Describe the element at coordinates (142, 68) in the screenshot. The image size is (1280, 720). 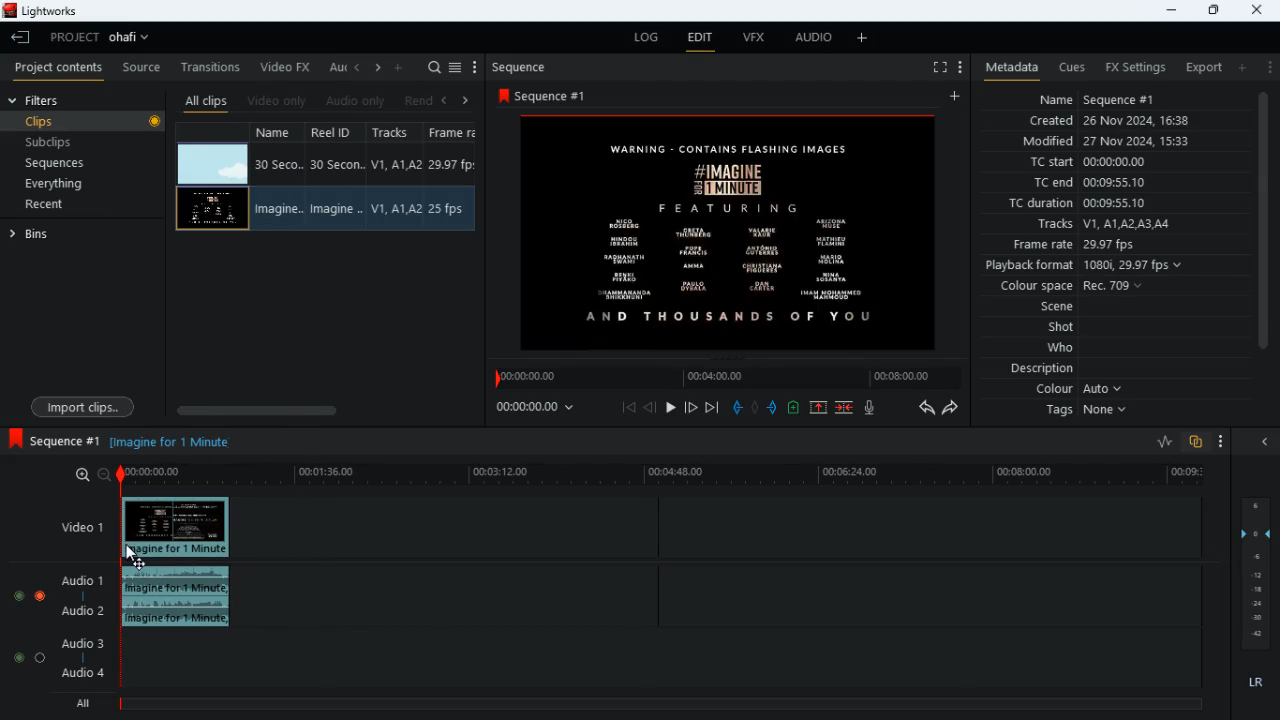
I see `source` at that location.